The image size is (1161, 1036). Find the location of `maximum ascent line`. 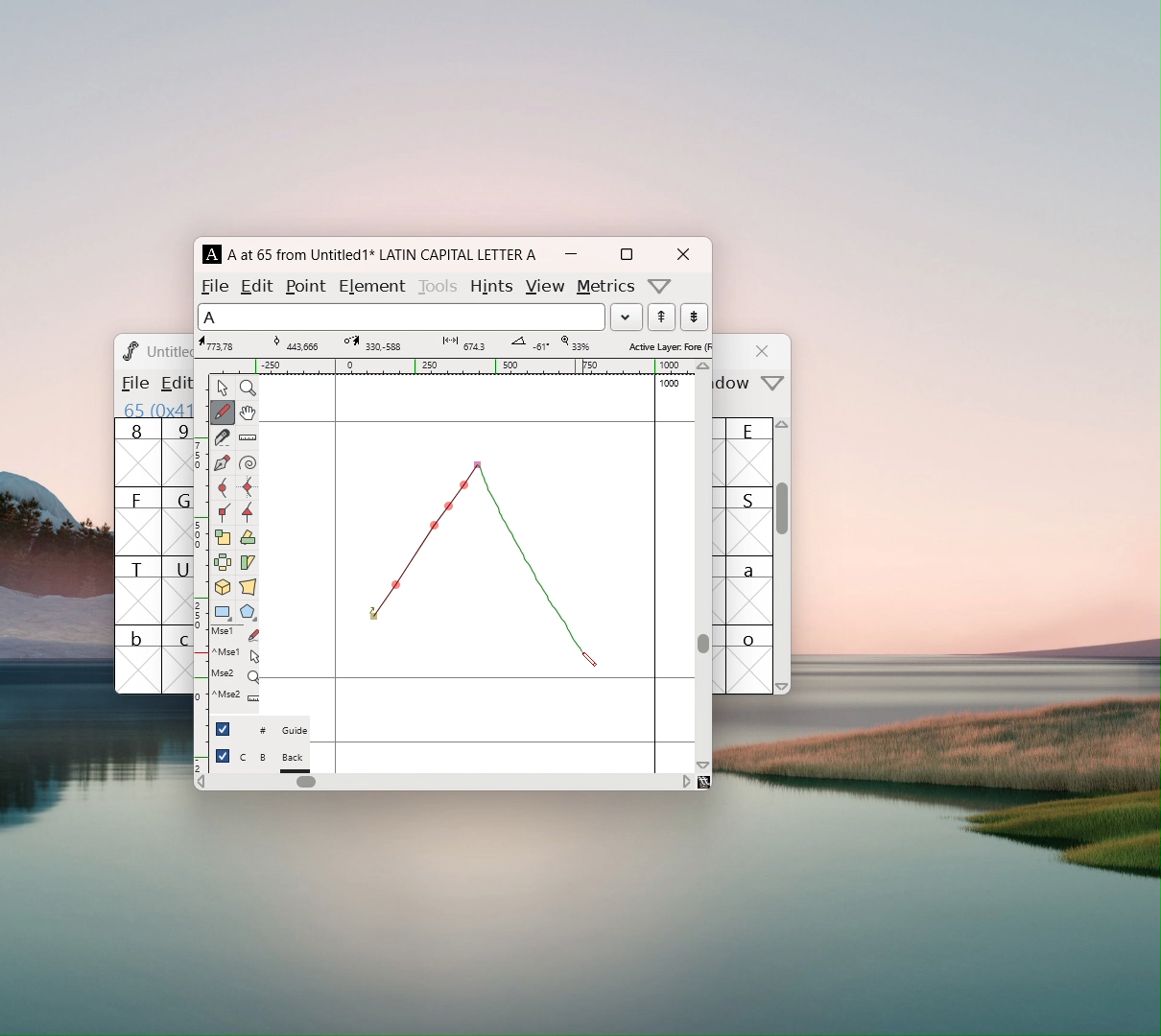

maximum ascent line is located at coordinates (477, 422).